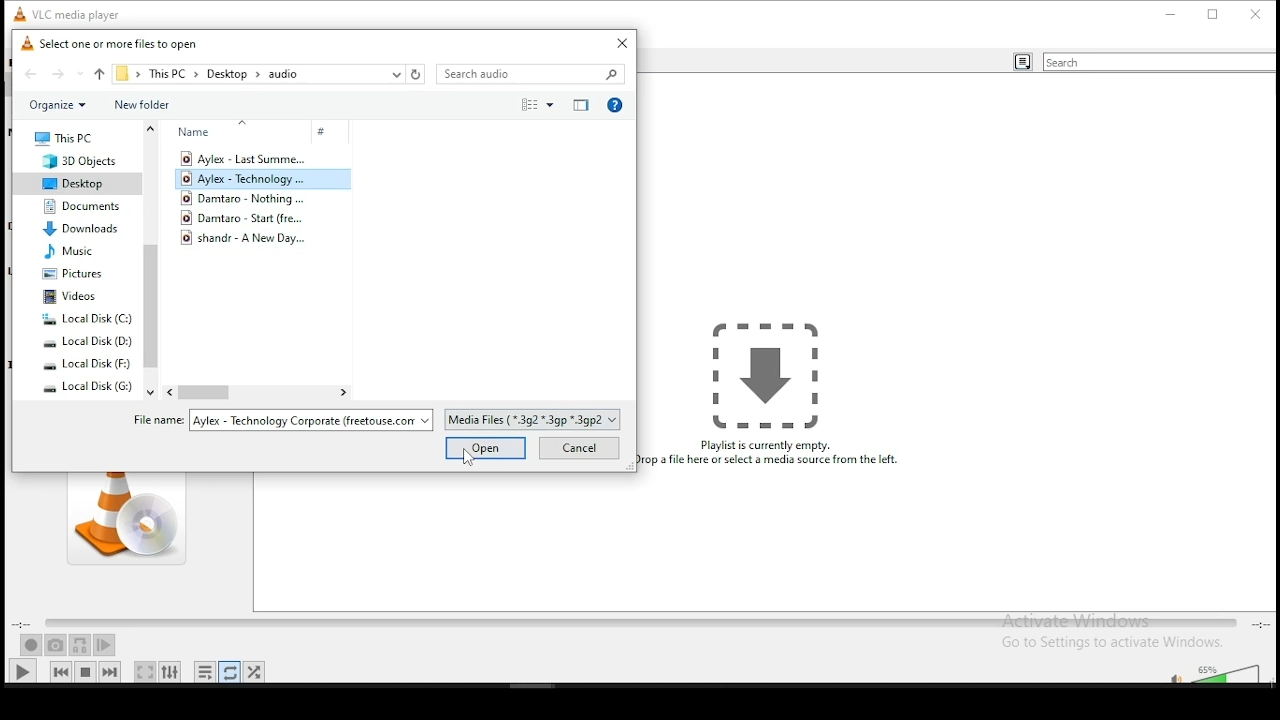 The height and width of the screenshot is (720, 1280). What do you see at coordinates (204, 672) in the screenshot?
I see `toggle playlist` at bounding box center [204, 672].